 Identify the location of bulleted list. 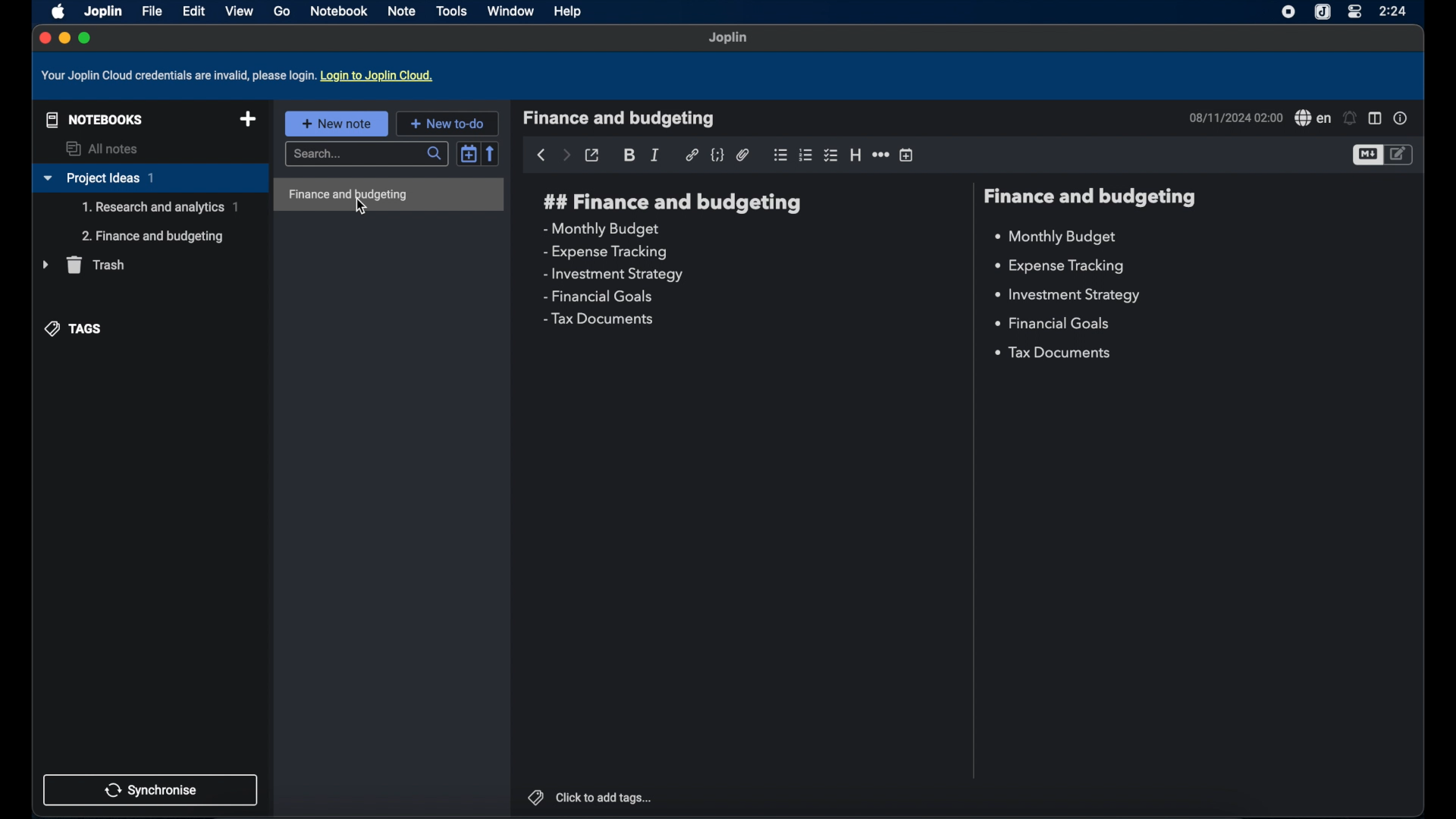
(780, 155).